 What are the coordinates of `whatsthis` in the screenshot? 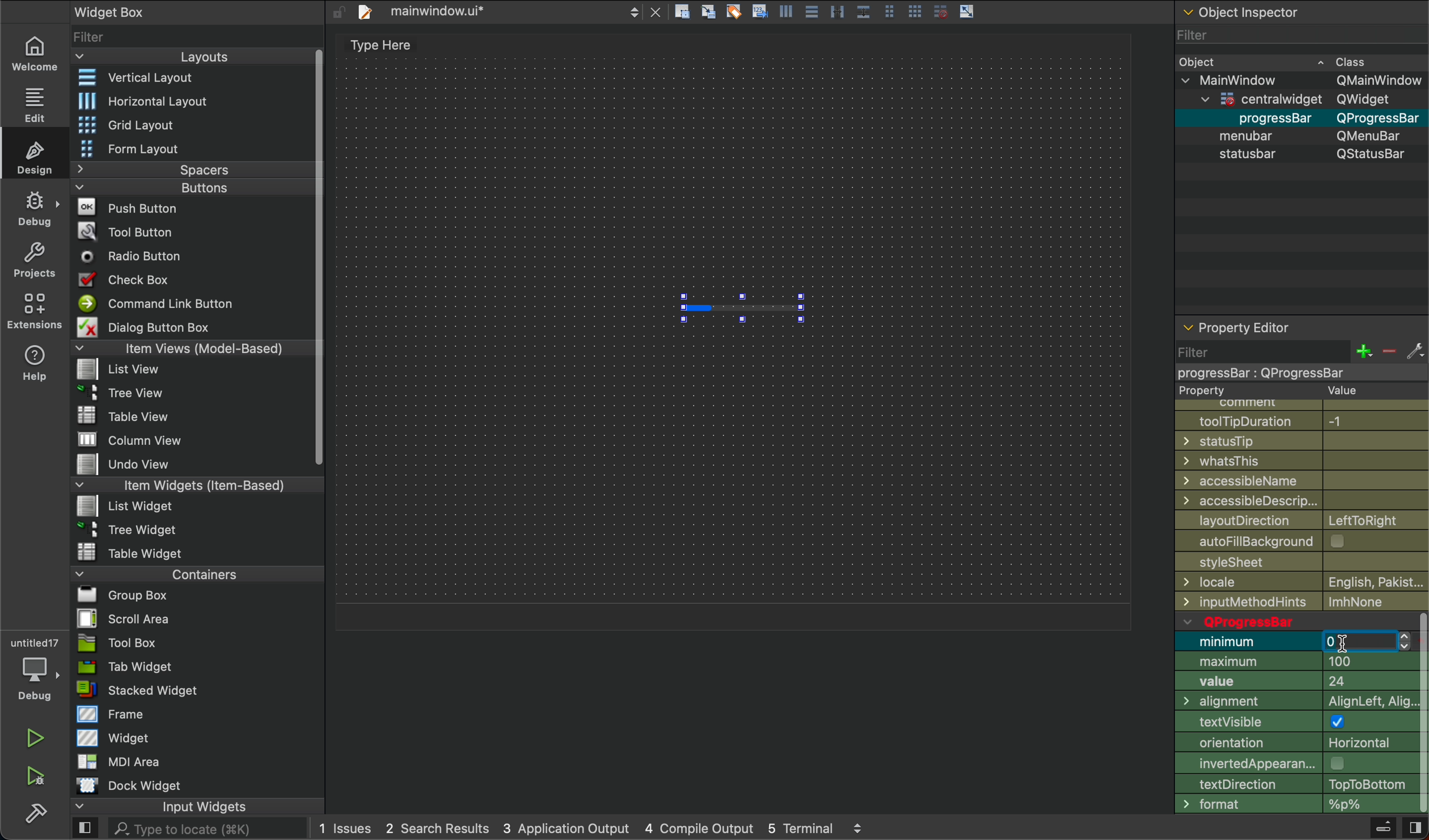 It's located at (1303, 461).